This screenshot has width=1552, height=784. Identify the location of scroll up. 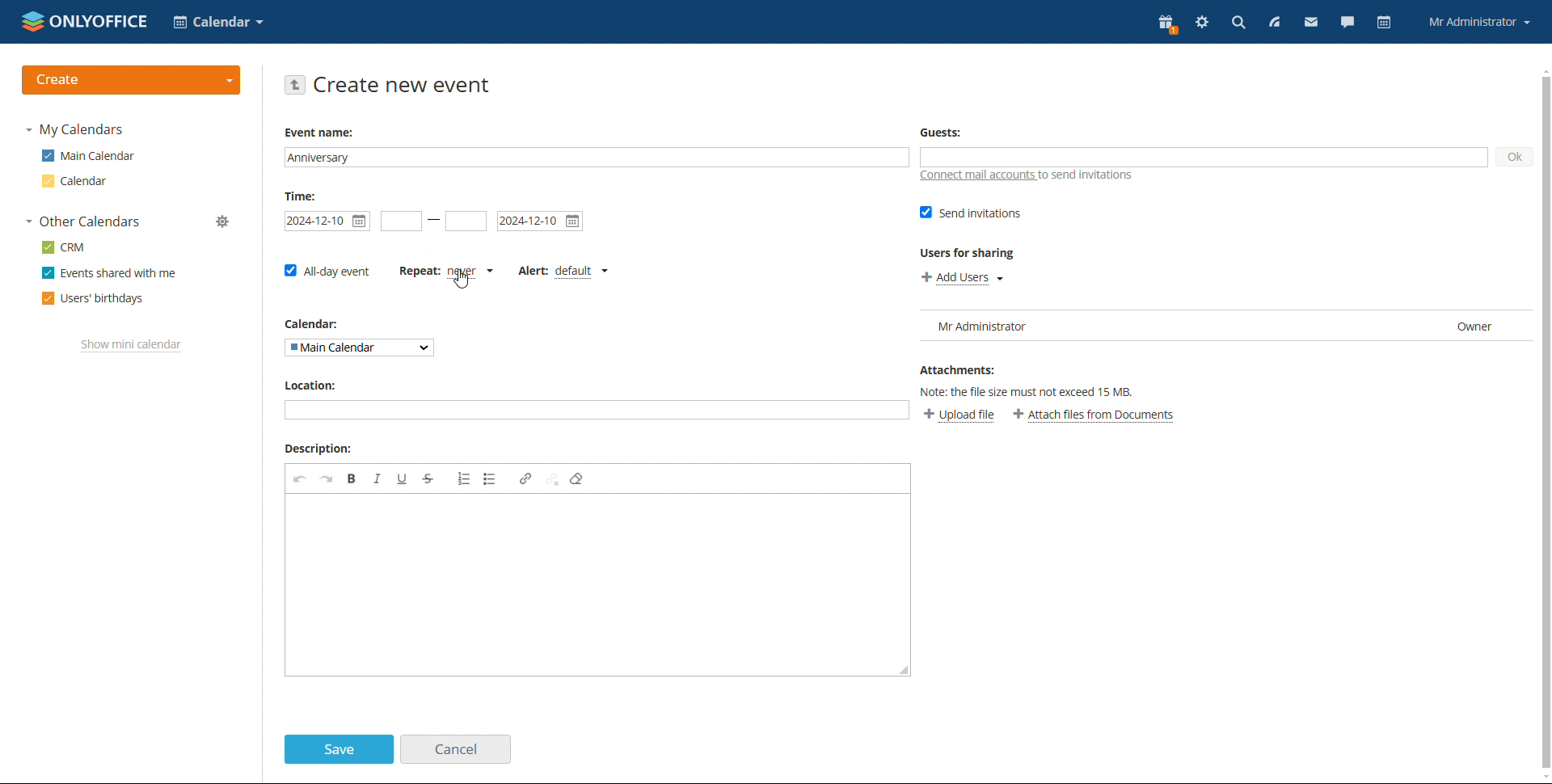
(1542, 70).